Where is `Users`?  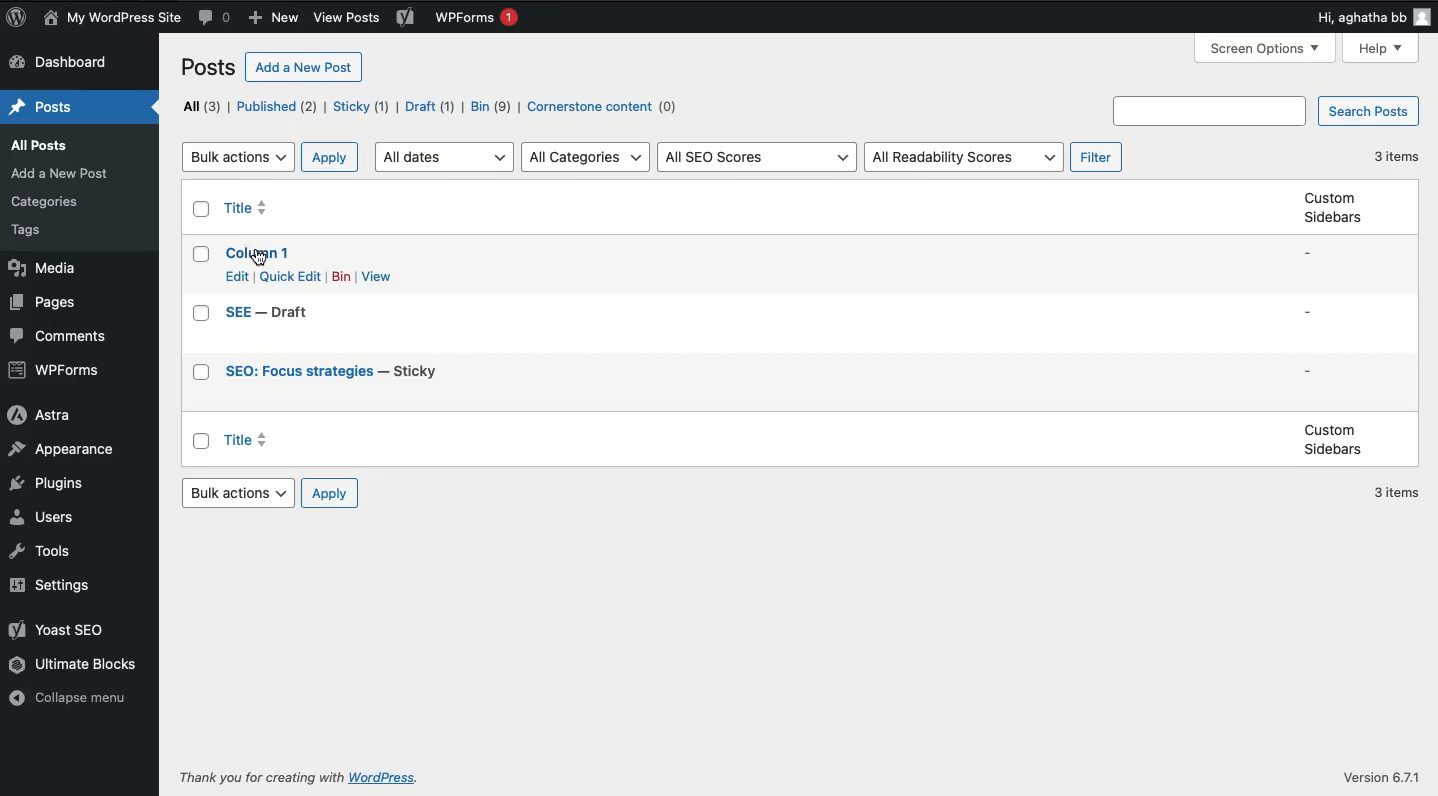 Users is located at coordinates (47, 518).